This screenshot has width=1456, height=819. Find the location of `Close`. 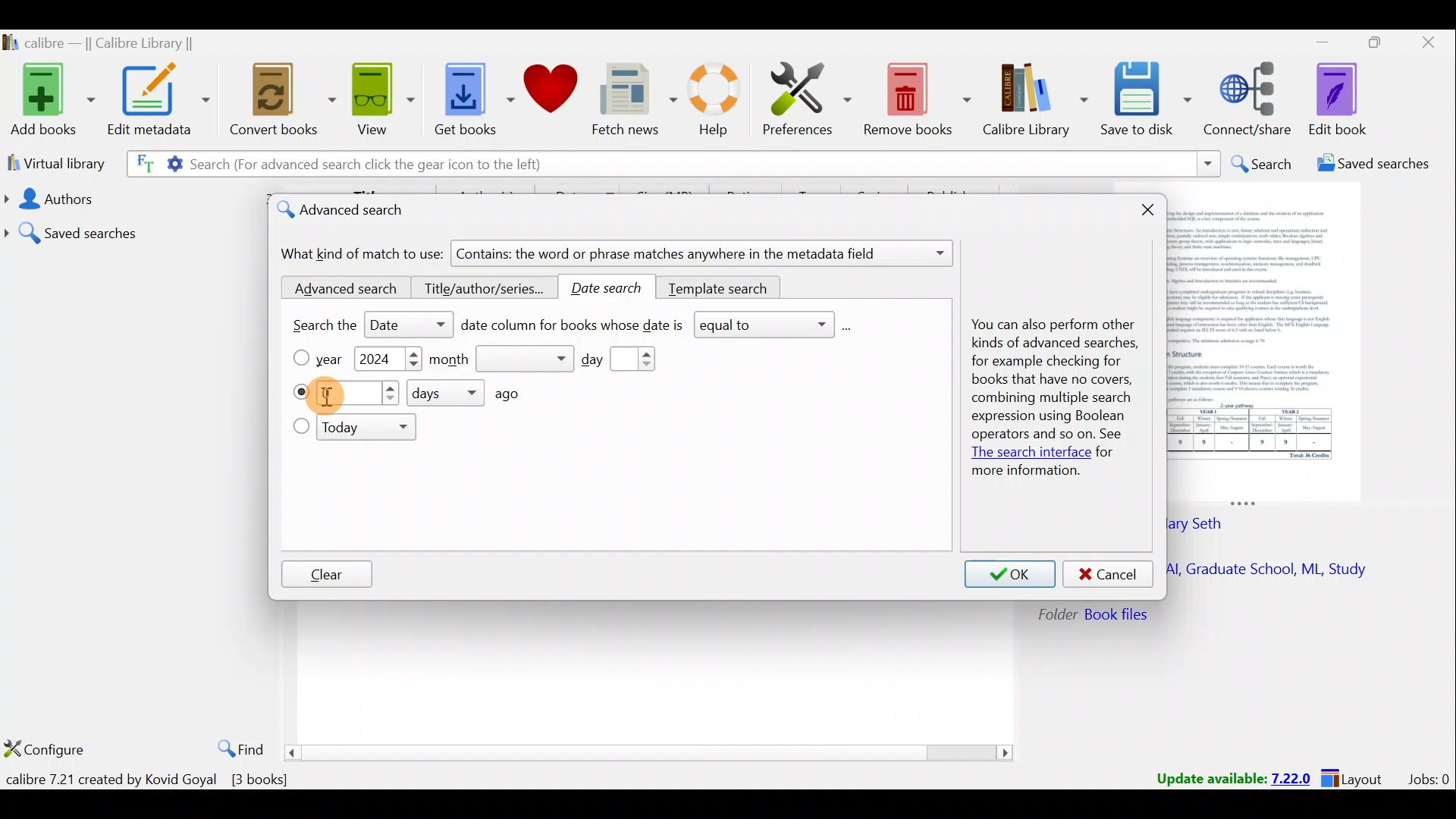

Close is located at coordinates (1426, 45).